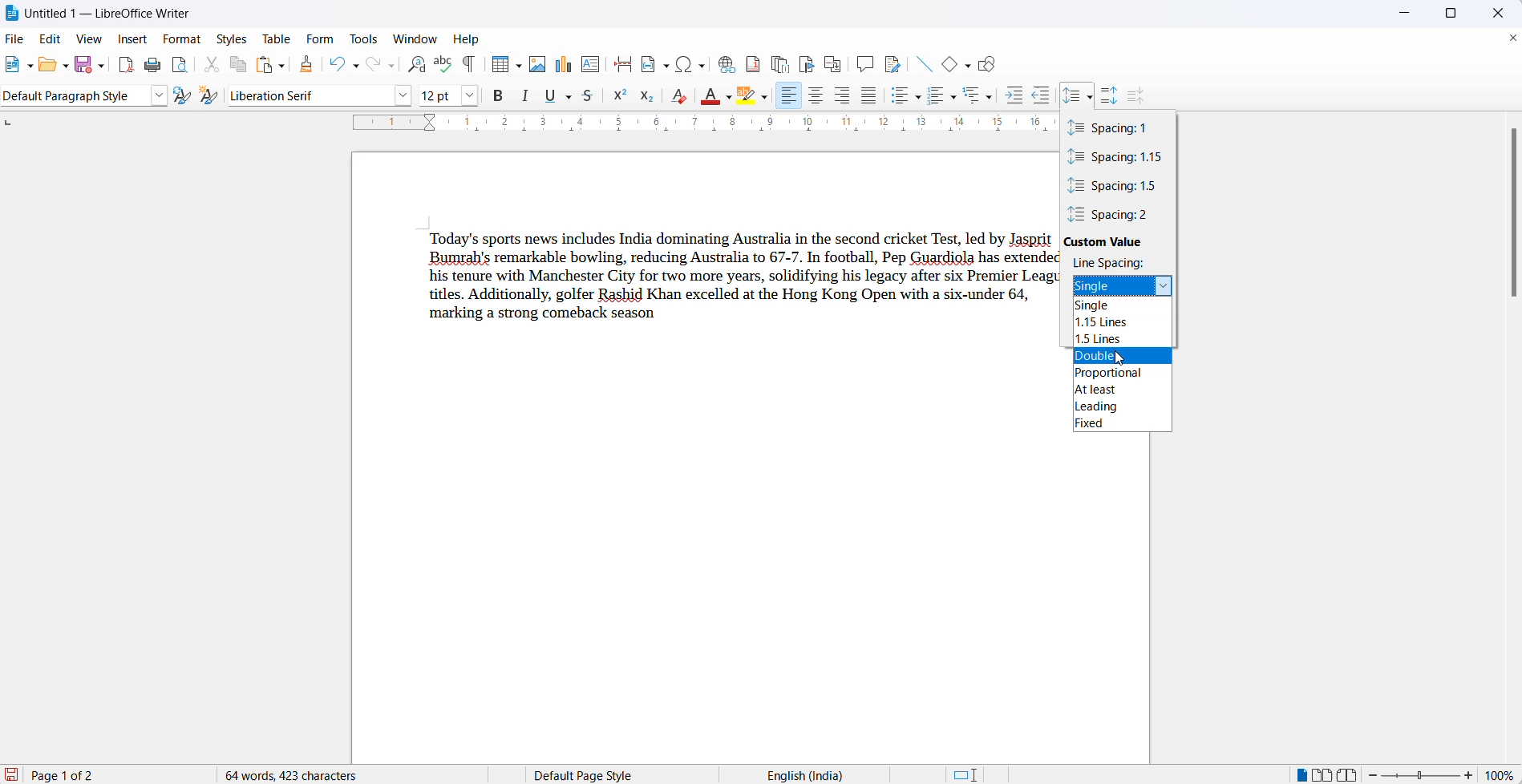 Image resolution: width=1522 pixels, height=784 pixels. I want to click on view, so click(94, 38).